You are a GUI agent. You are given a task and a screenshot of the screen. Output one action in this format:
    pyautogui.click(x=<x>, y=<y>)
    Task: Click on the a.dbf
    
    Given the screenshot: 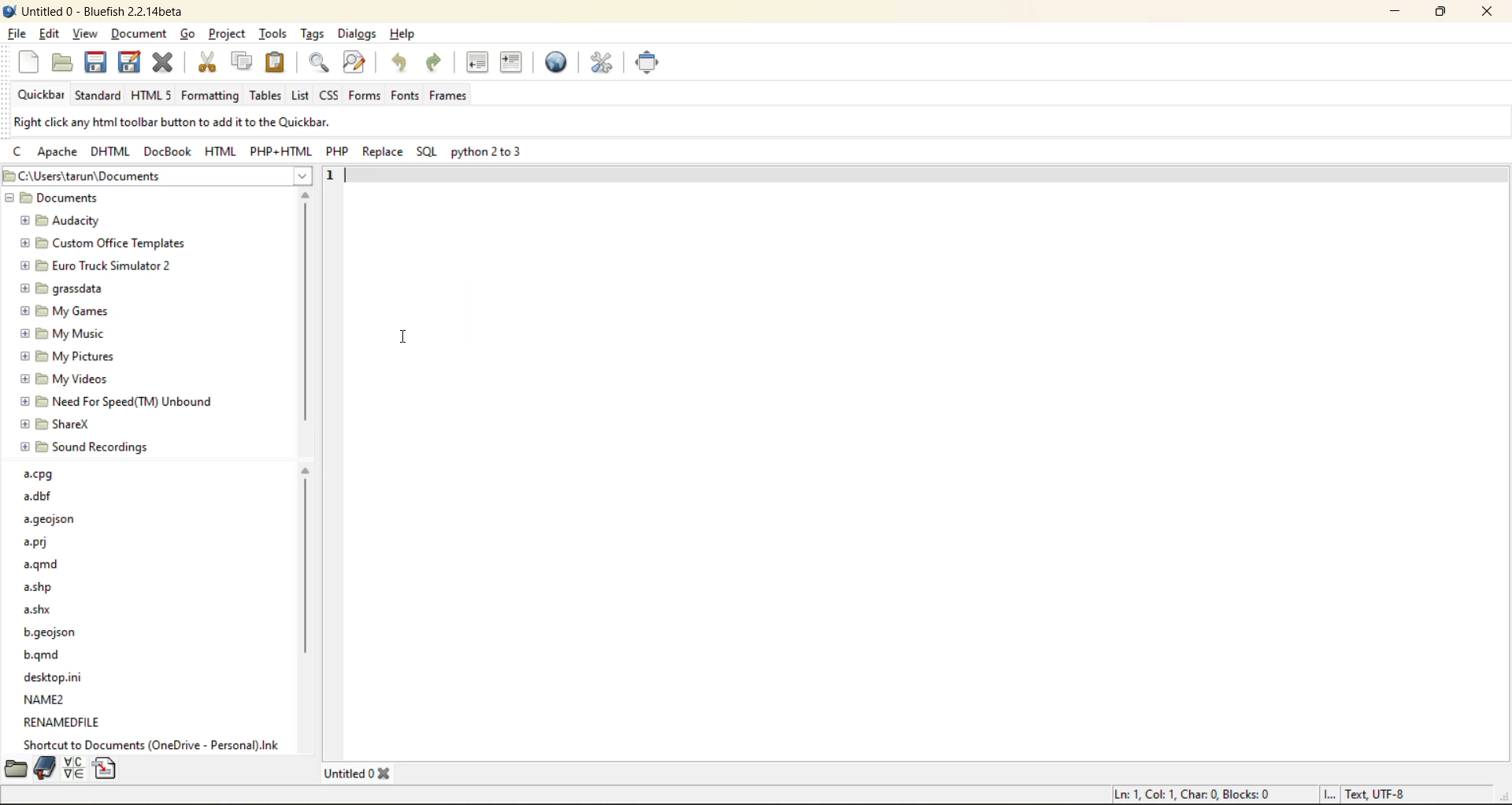 What is the action you would take?
    pyautogui.click(x=38, y=497)
    